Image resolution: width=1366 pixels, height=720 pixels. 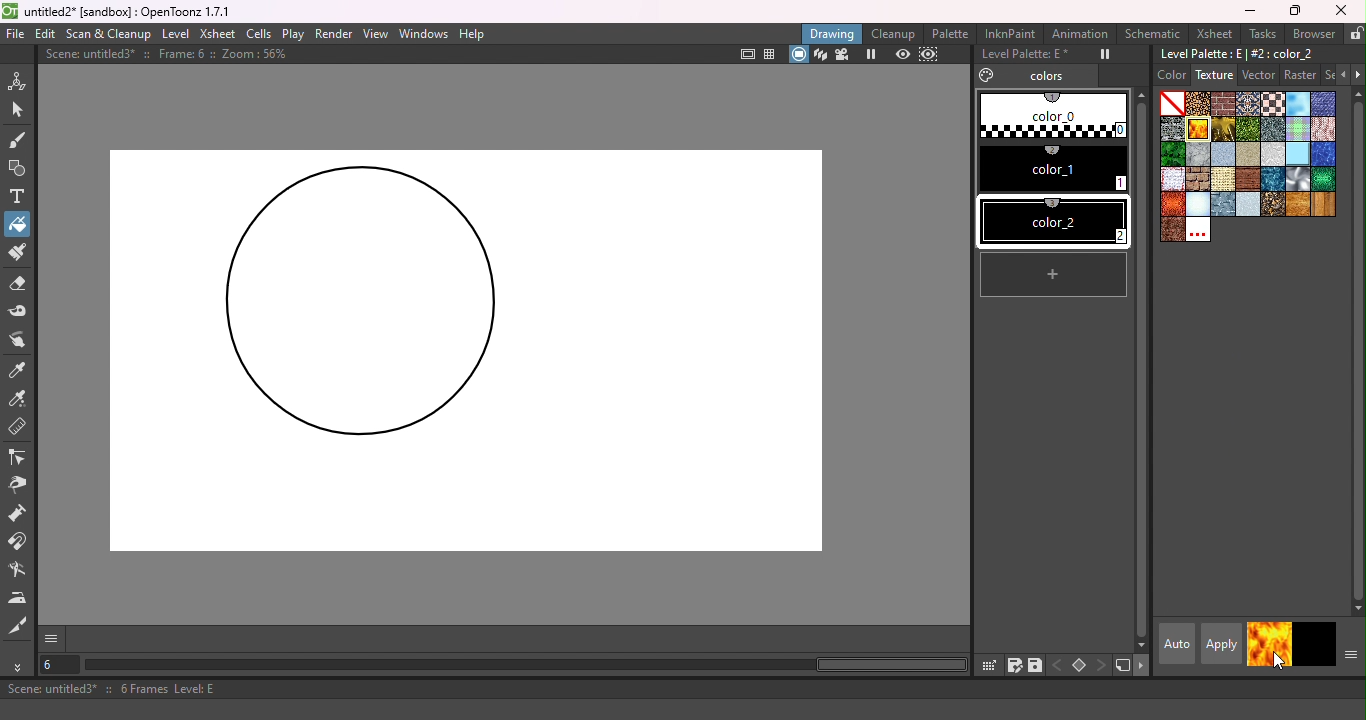 I want to click on leaves.bmp, so click(x=1172, y=154).